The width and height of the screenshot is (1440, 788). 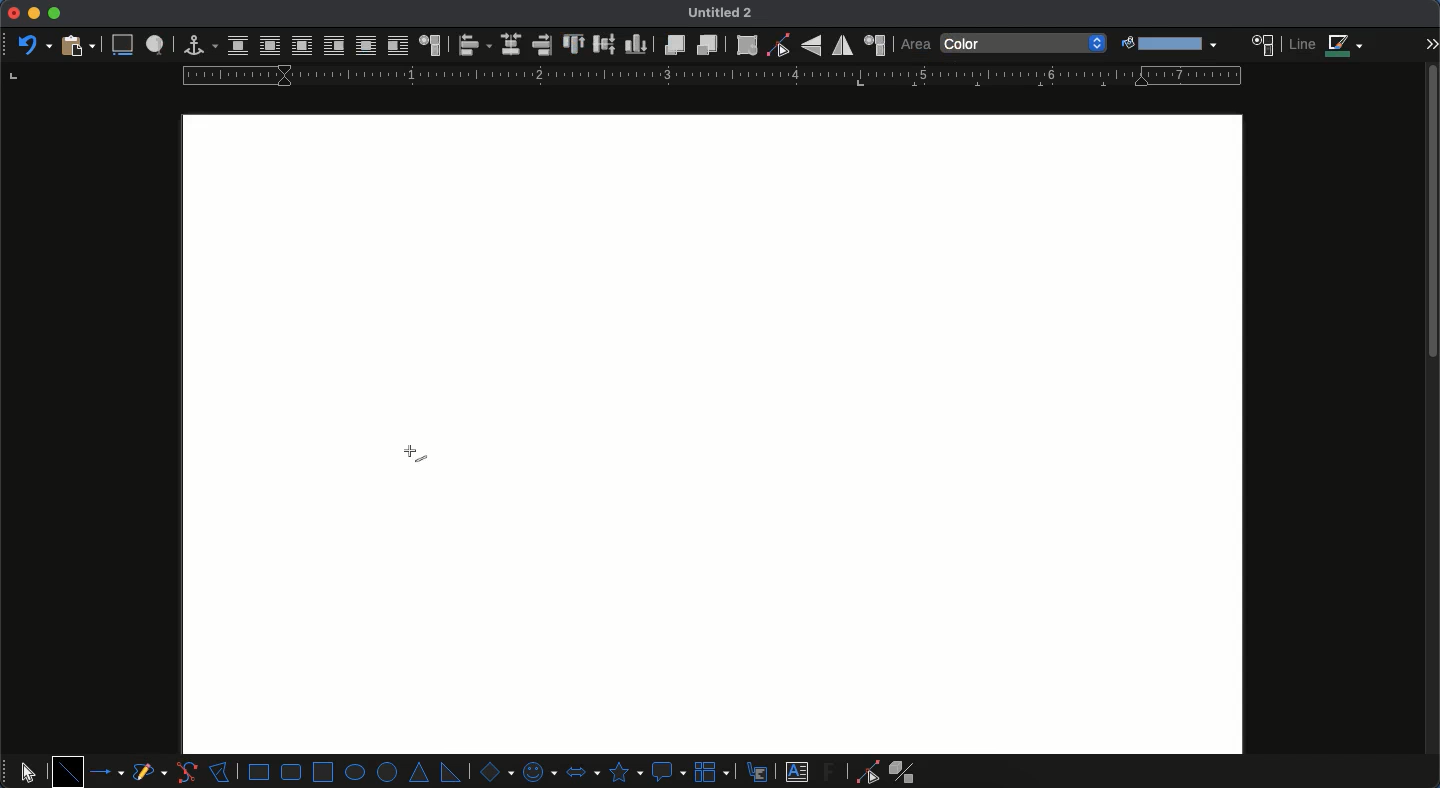 I want to click on curve, so click(x=186, y=772).